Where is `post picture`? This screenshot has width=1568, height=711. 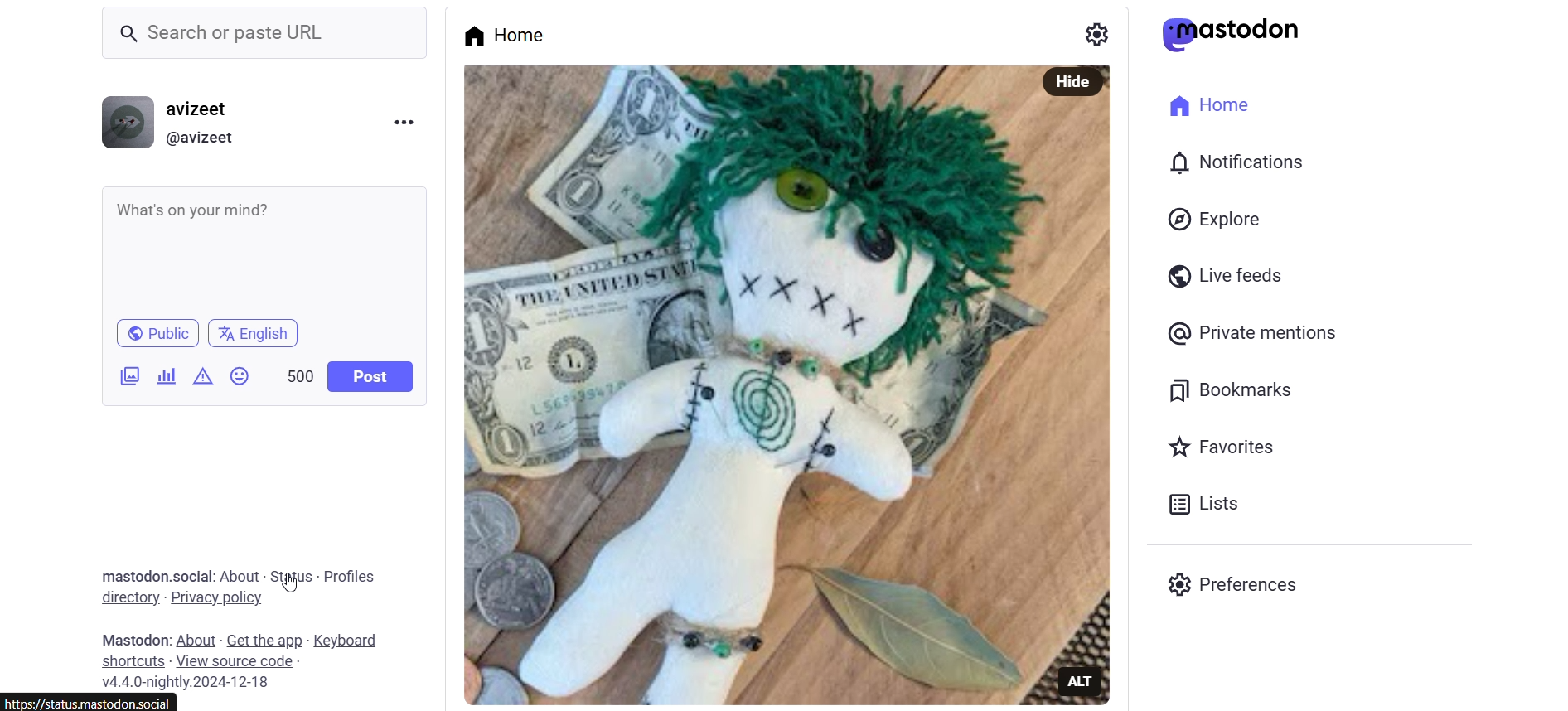 post picture is located at coordinates (748, 388).